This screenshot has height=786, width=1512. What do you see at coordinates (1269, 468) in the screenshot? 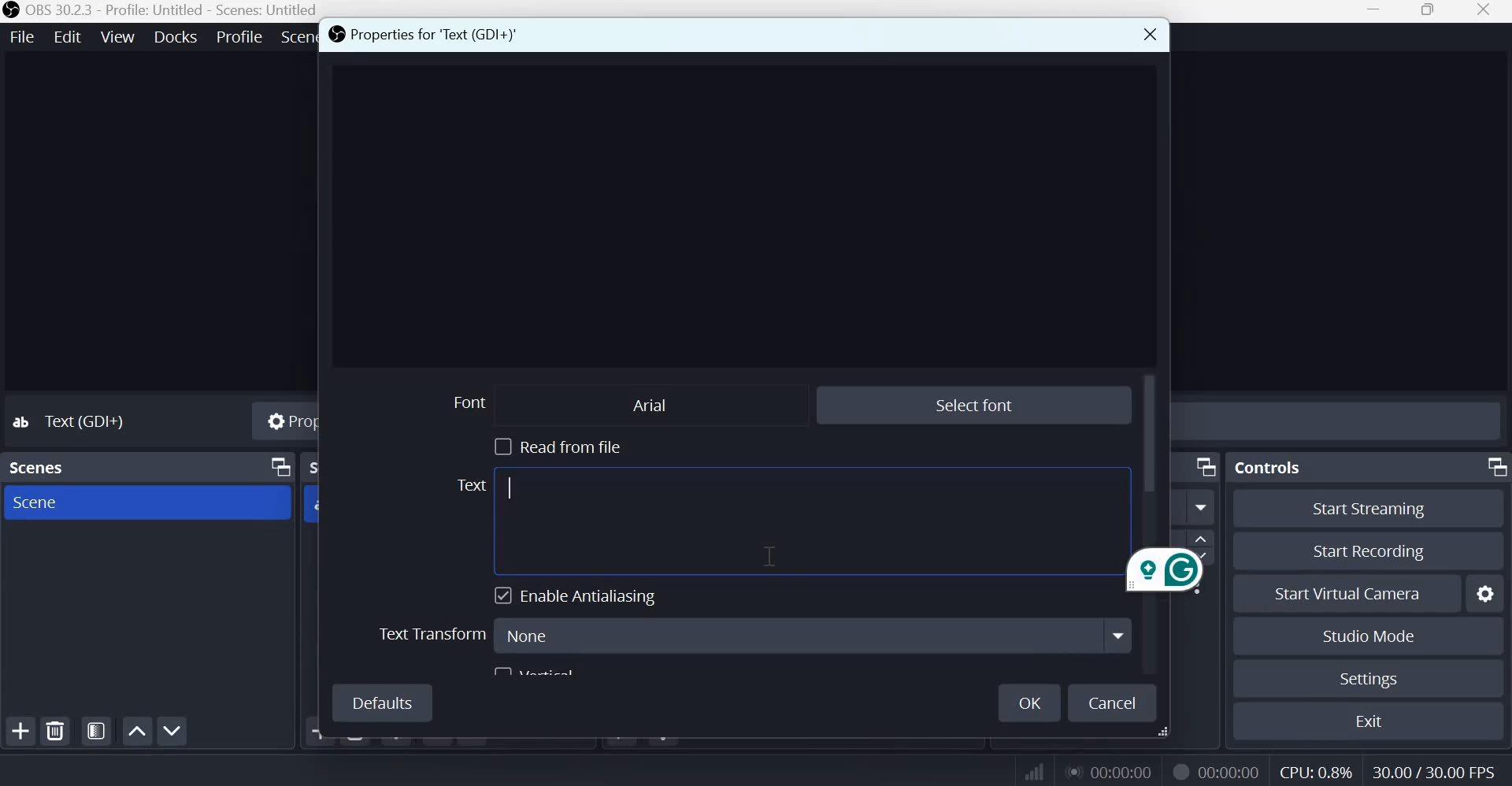
I see `Controls` at bounding box center [1269, 468].